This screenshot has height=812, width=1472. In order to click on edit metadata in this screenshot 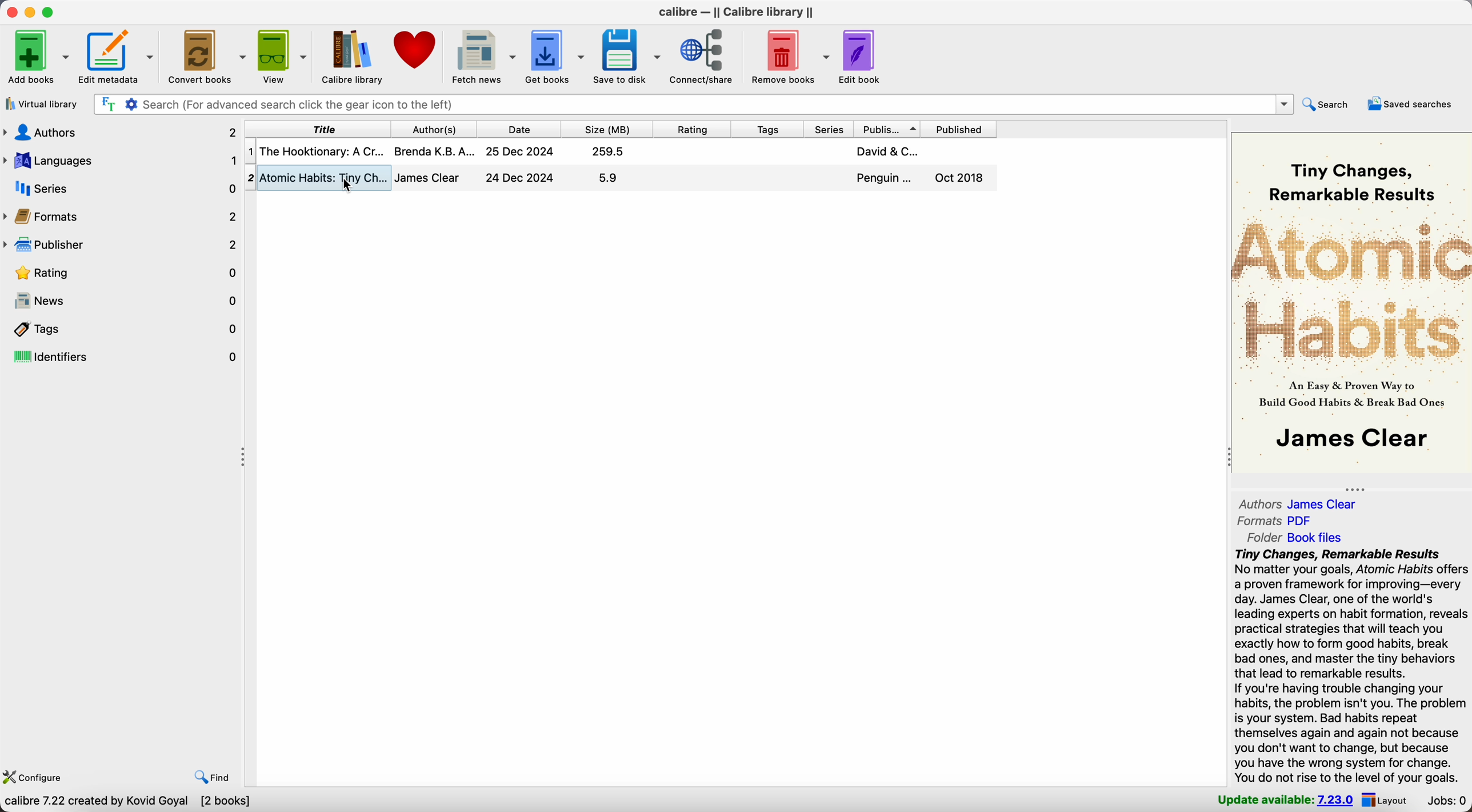, I will do `click(119, 58)`.